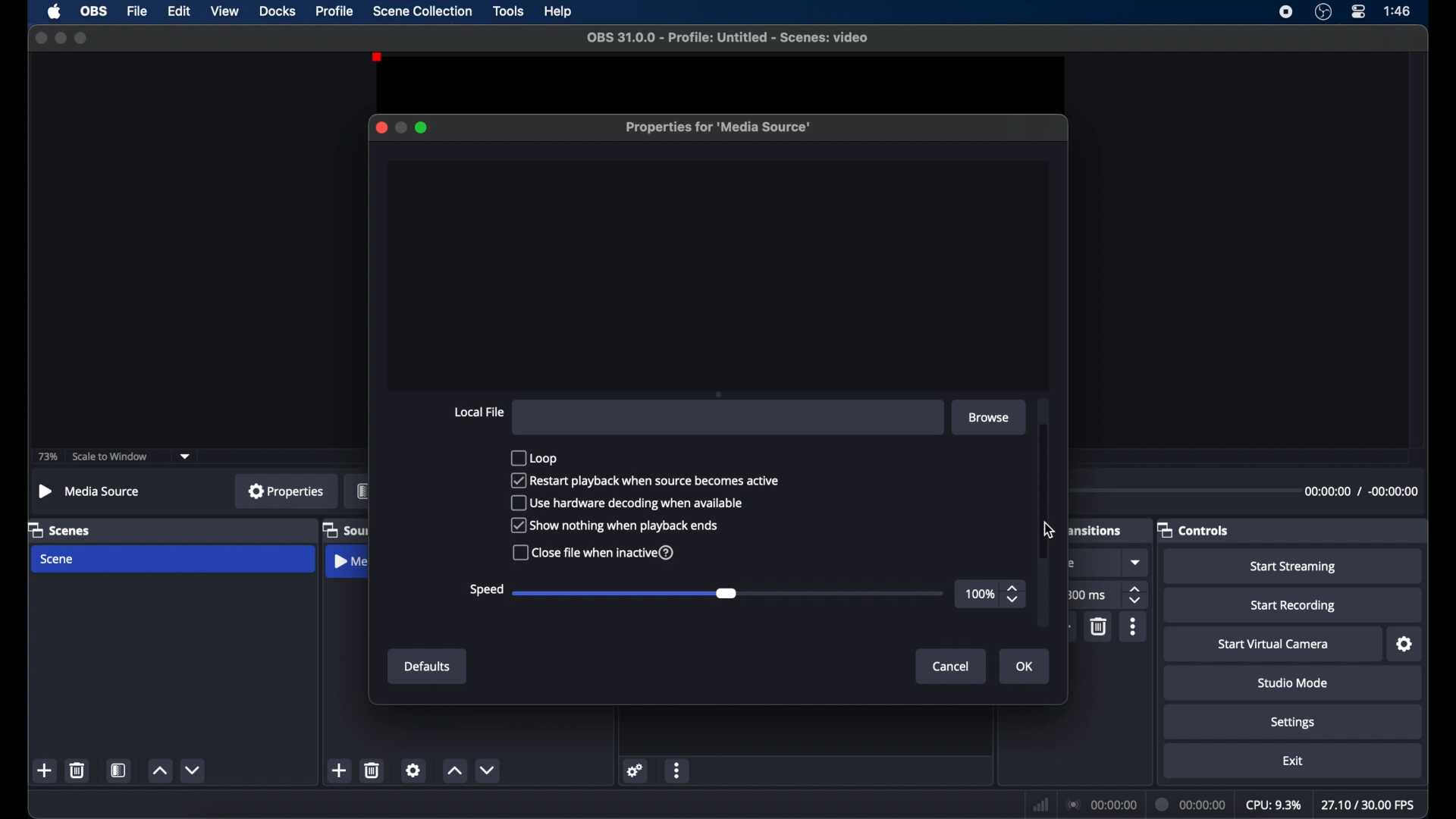 The width and height of the screenshot is (1456, 819). Describe the element at coordinates (979, 595) in the screenshot. I see `100%` at that location.